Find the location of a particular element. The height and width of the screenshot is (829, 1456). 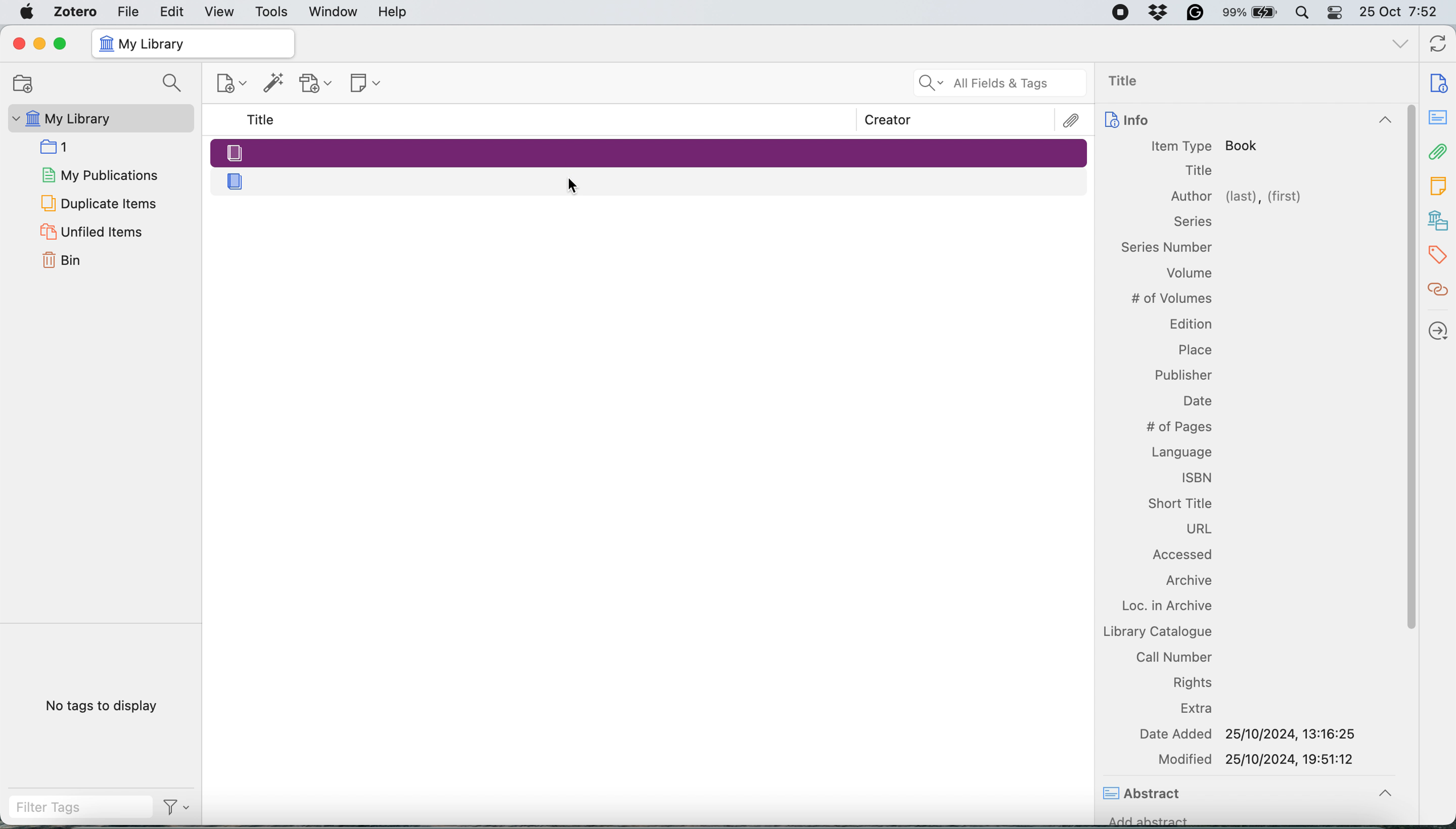

Help is located at coordinates (392, 11).